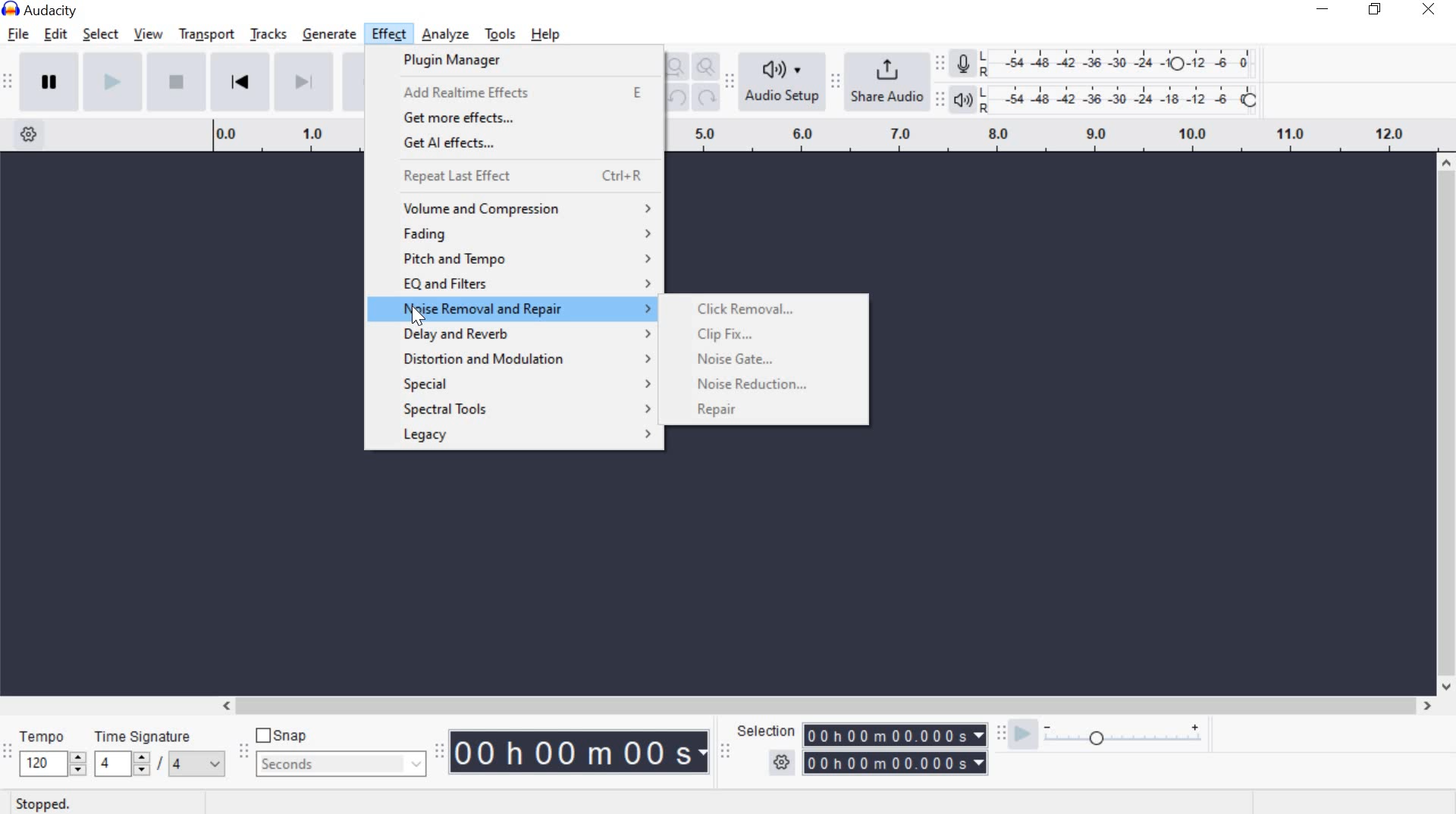 This screenshot has height=814, width=1456. Describe the element at coordinates (1004, 731) in the screenshot. I see `Play-at-speed toolbar` at that location.